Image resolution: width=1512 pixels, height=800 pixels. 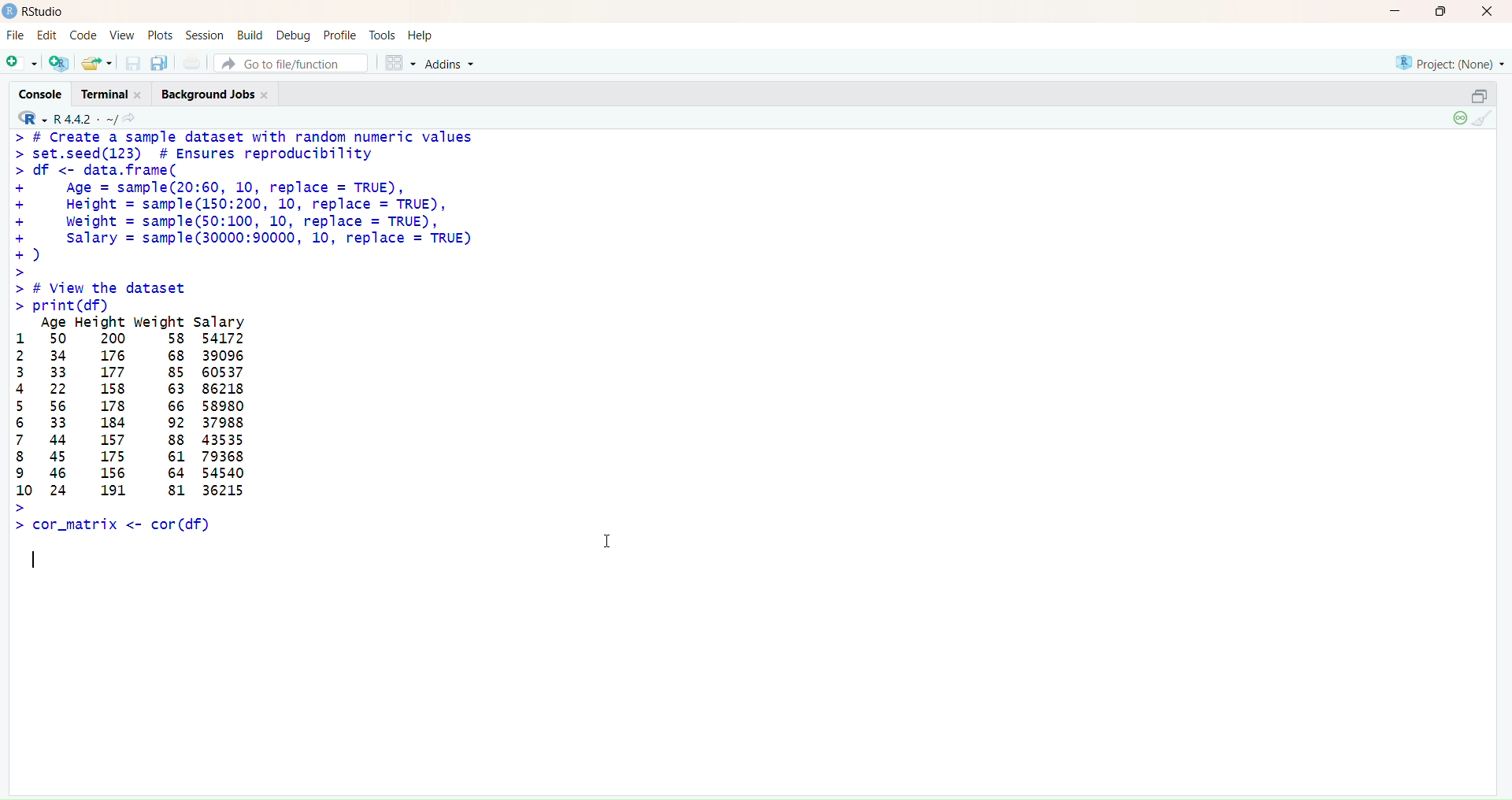 I want to click on New file, so click(x=22, y=61).